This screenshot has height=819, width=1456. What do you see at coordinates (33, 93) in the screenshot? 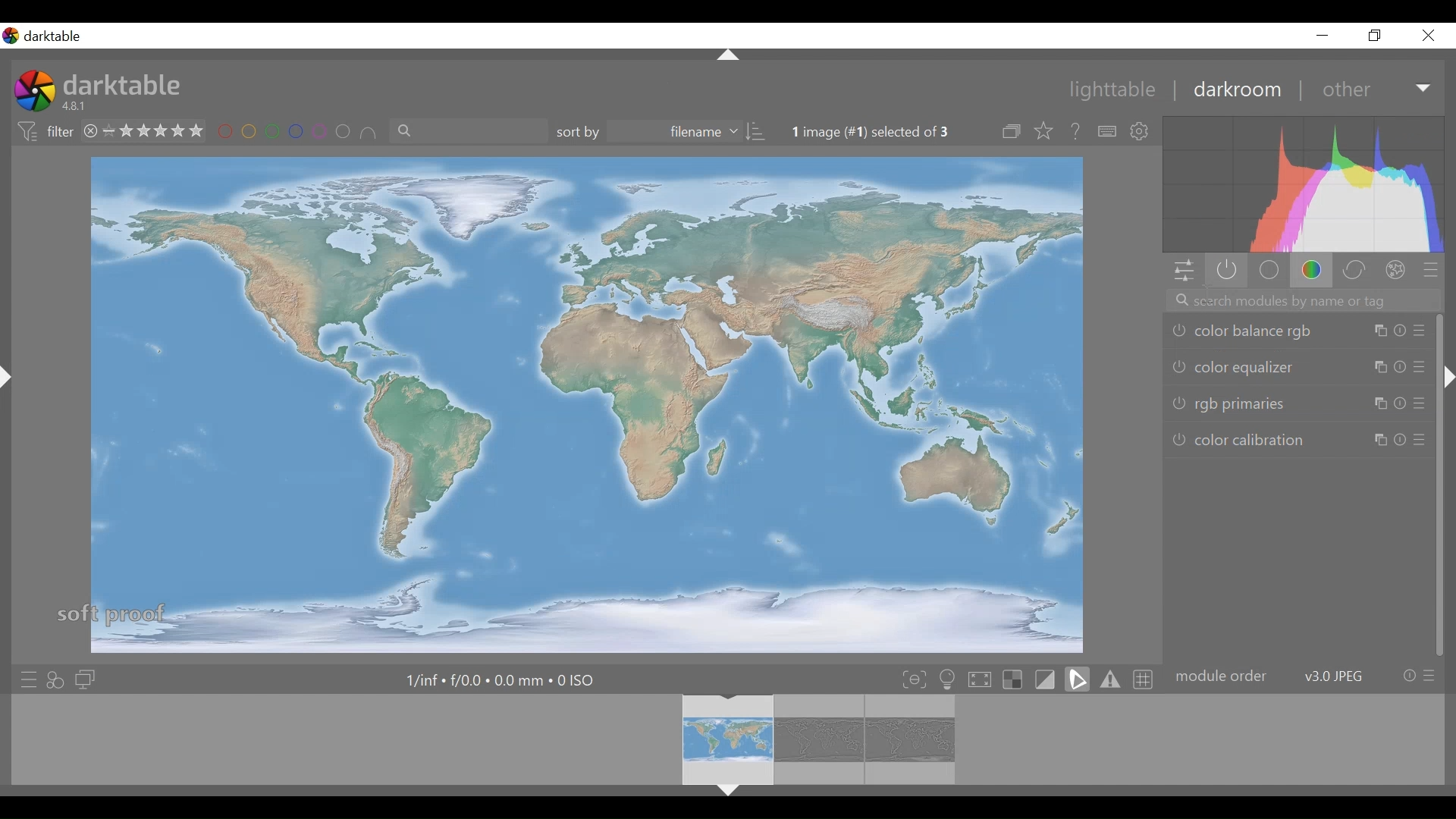
I see `Darktable Desktop Icon` at bounding box center [33, 93].